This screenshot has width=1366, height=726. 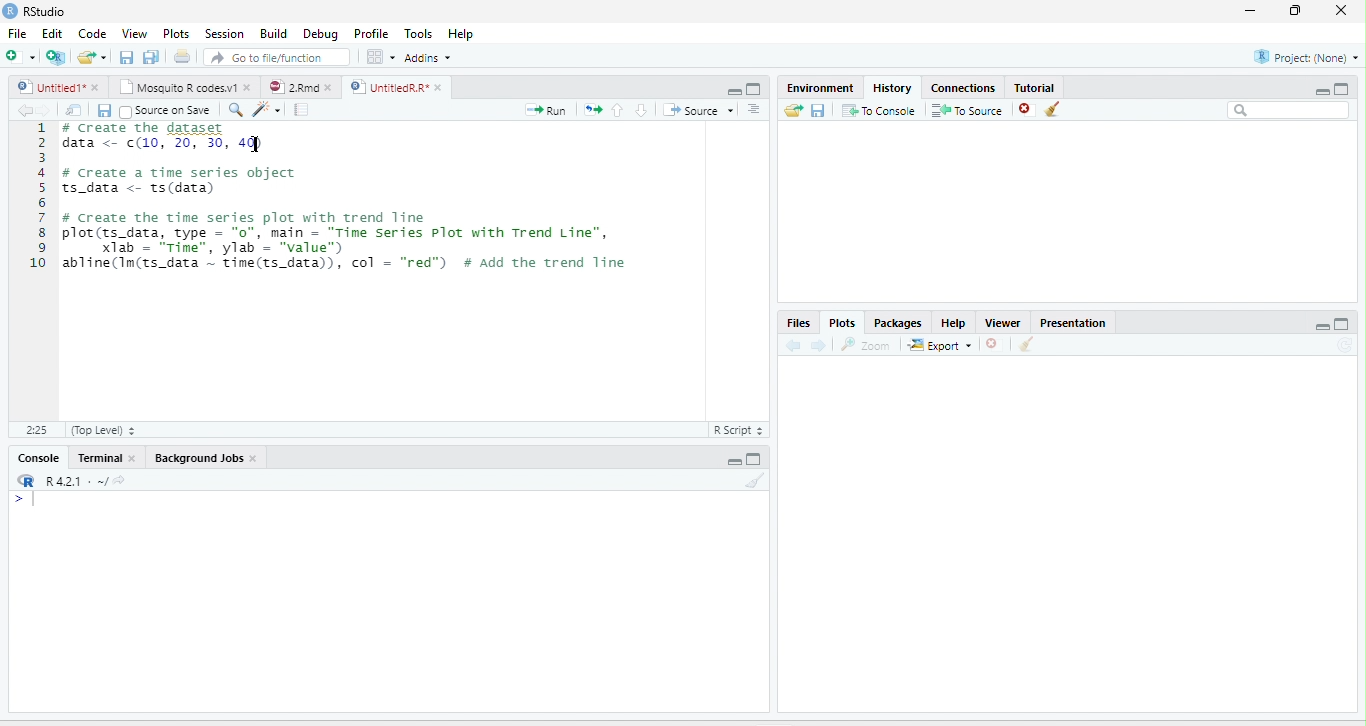 What do you see at coordinates (18, 33) in the screenshot?
I see `File` at bounding box center [18, 33].